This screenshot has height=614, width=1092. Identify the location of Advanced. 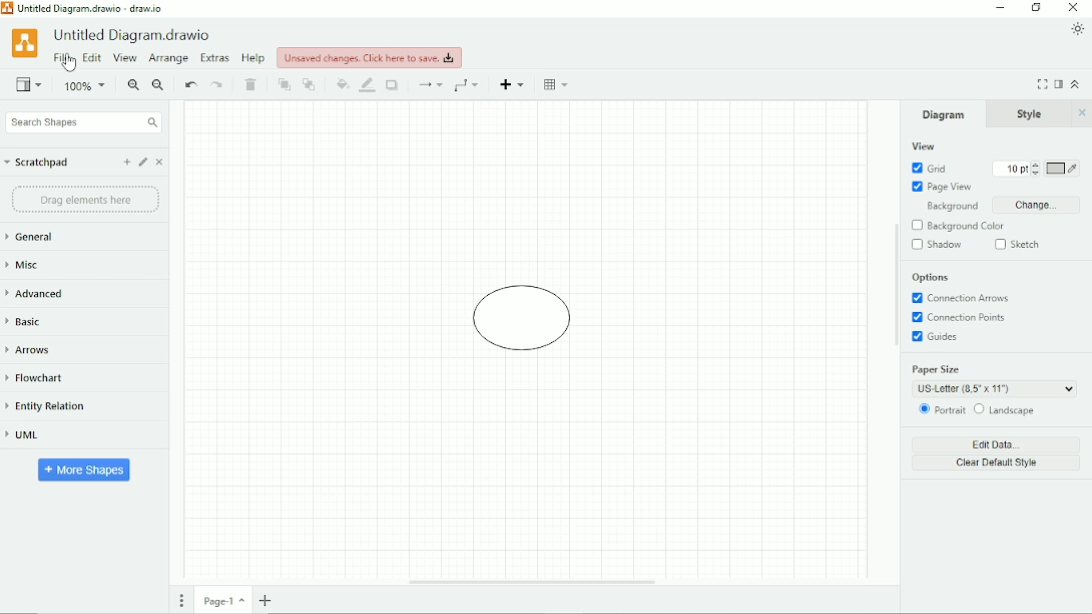
(38, 293).